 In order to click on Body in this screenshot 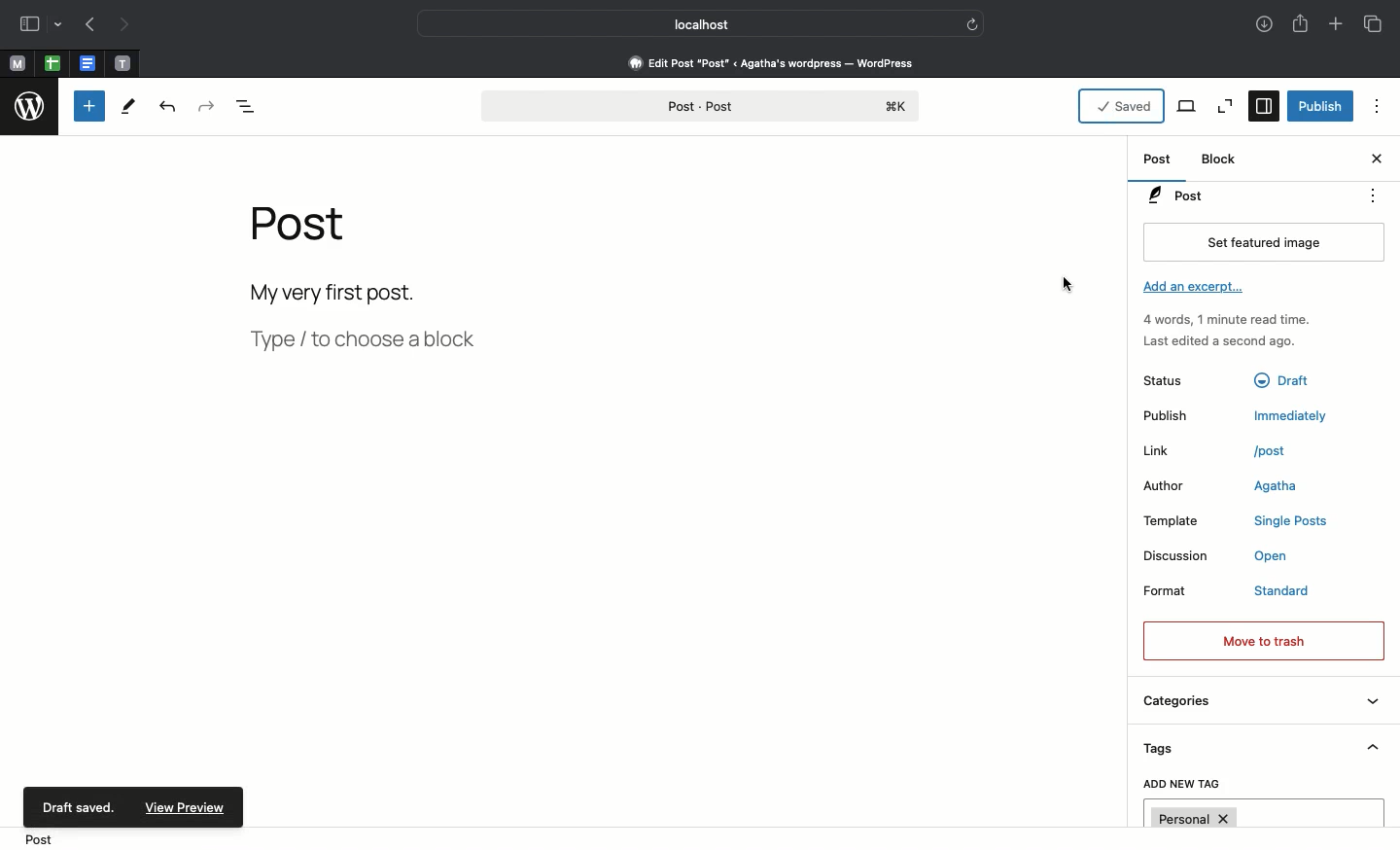, I will do `click(358, 290)`.